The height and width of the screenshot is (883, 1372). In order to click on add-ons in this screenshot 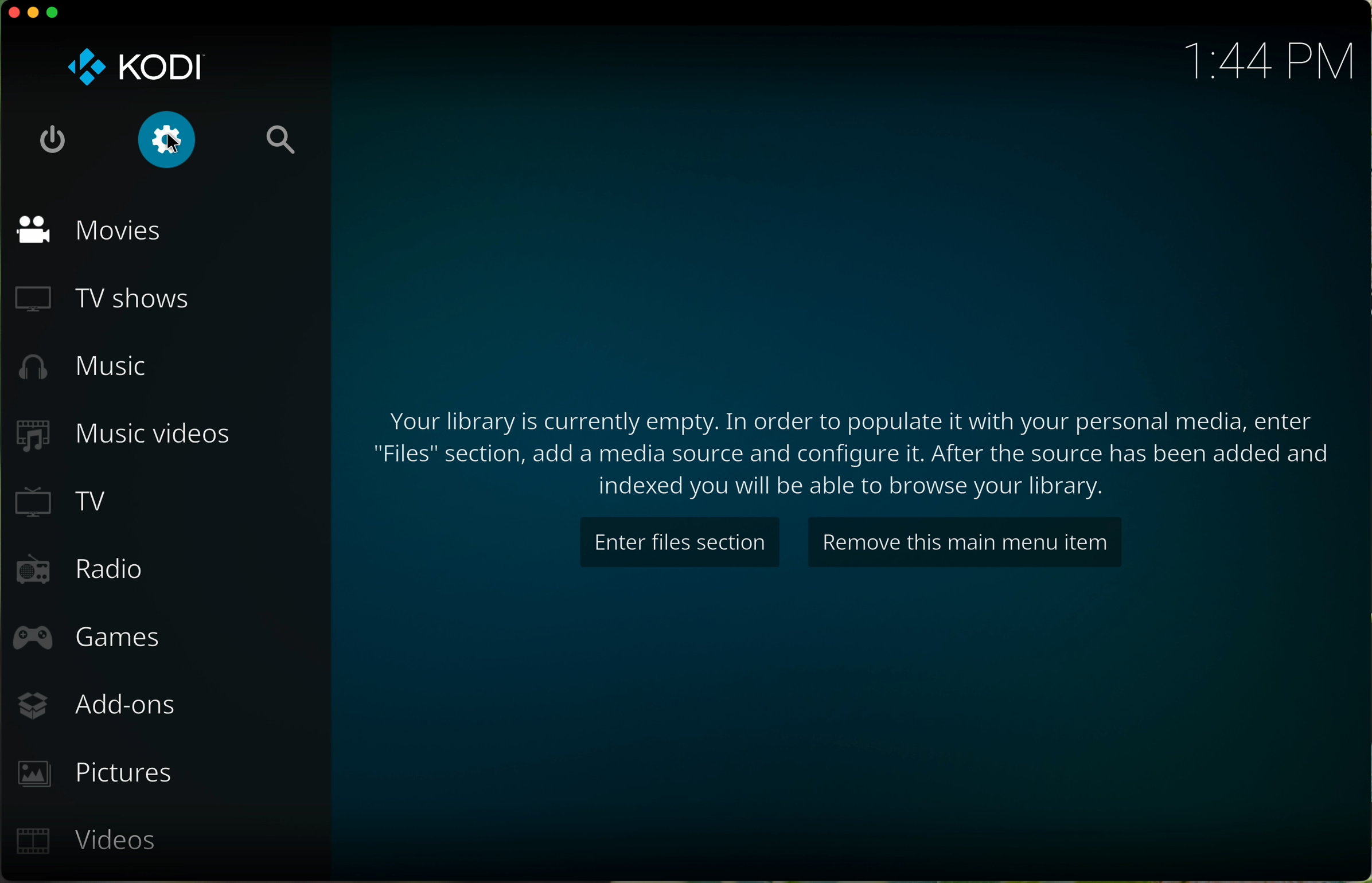, I will do `click(96, 707)`.